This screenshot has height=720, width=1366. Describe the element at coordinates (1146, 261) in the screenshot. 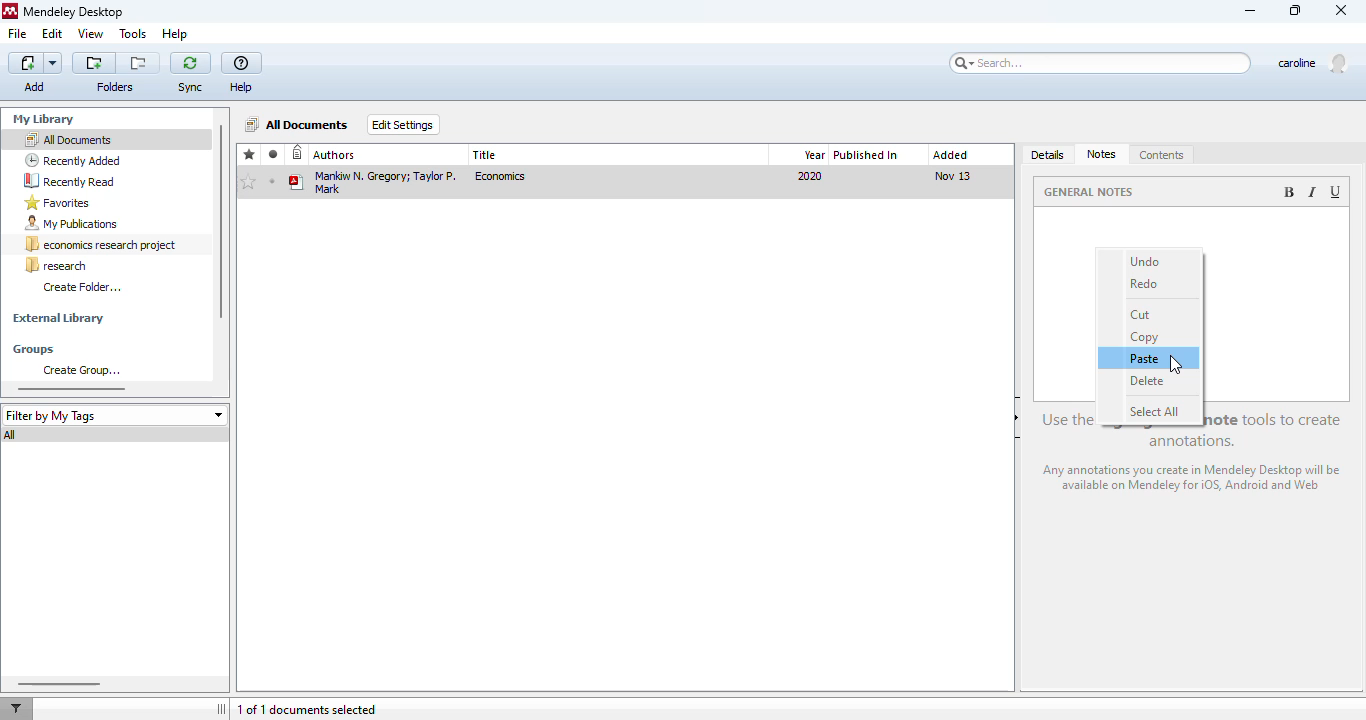

I see `undo` at that location.